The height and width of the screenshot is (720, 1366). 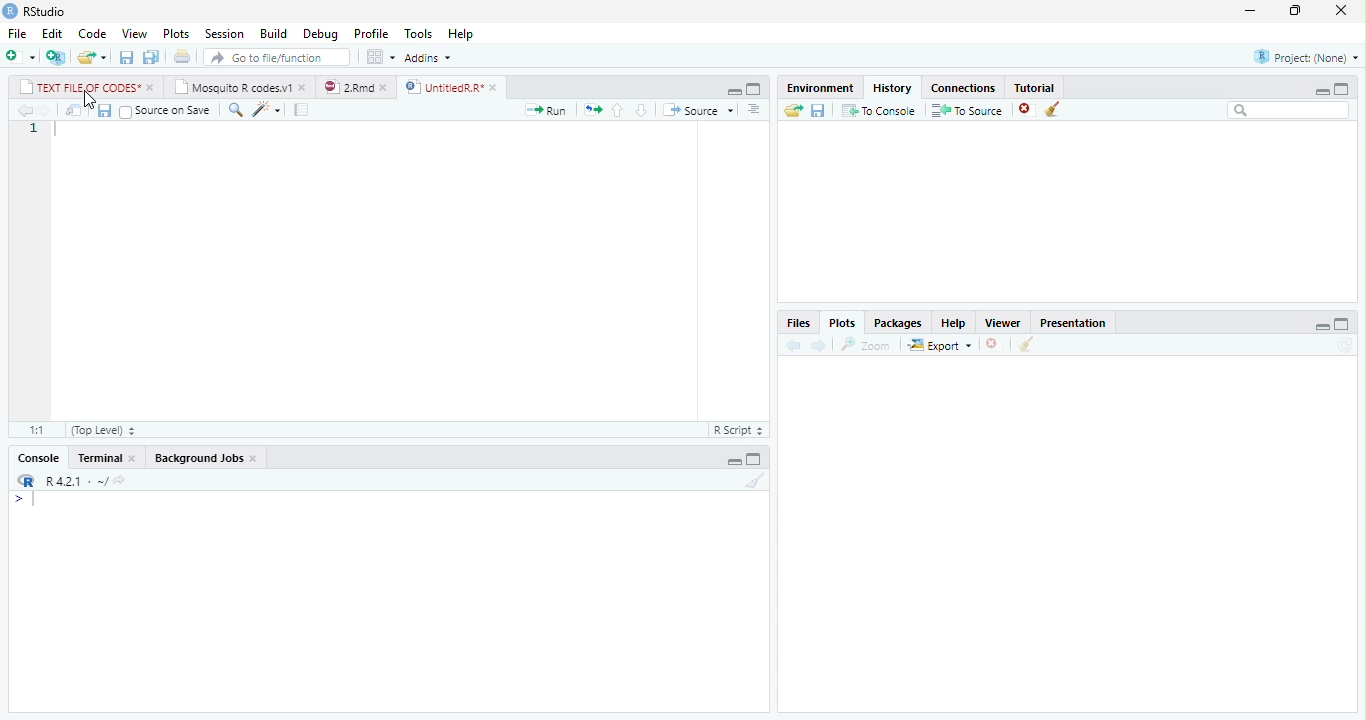 I want to click on close, so click(x=1341, y=9).